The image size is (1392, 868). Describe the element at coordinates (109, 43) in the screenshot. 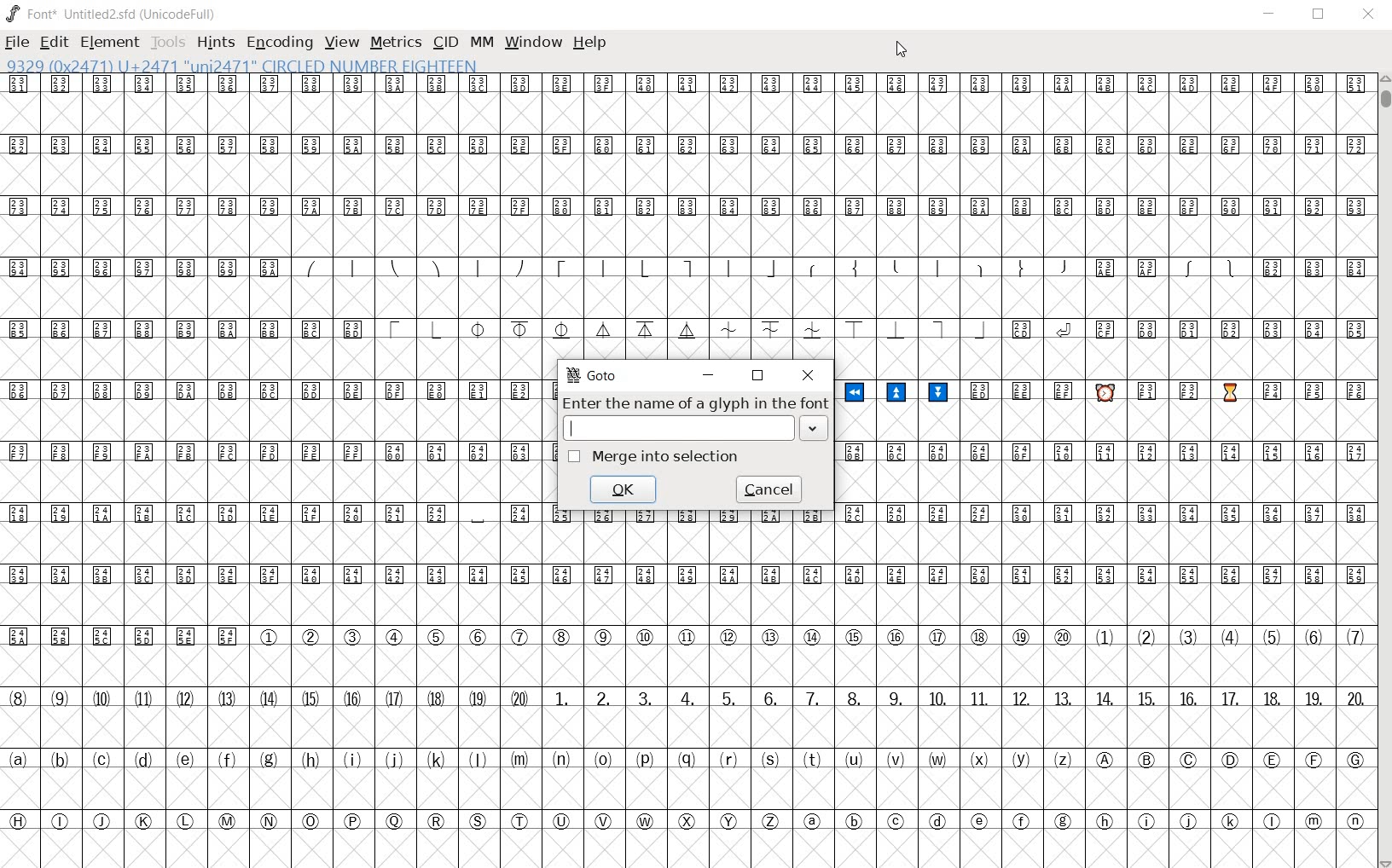

I see `element` at that location.